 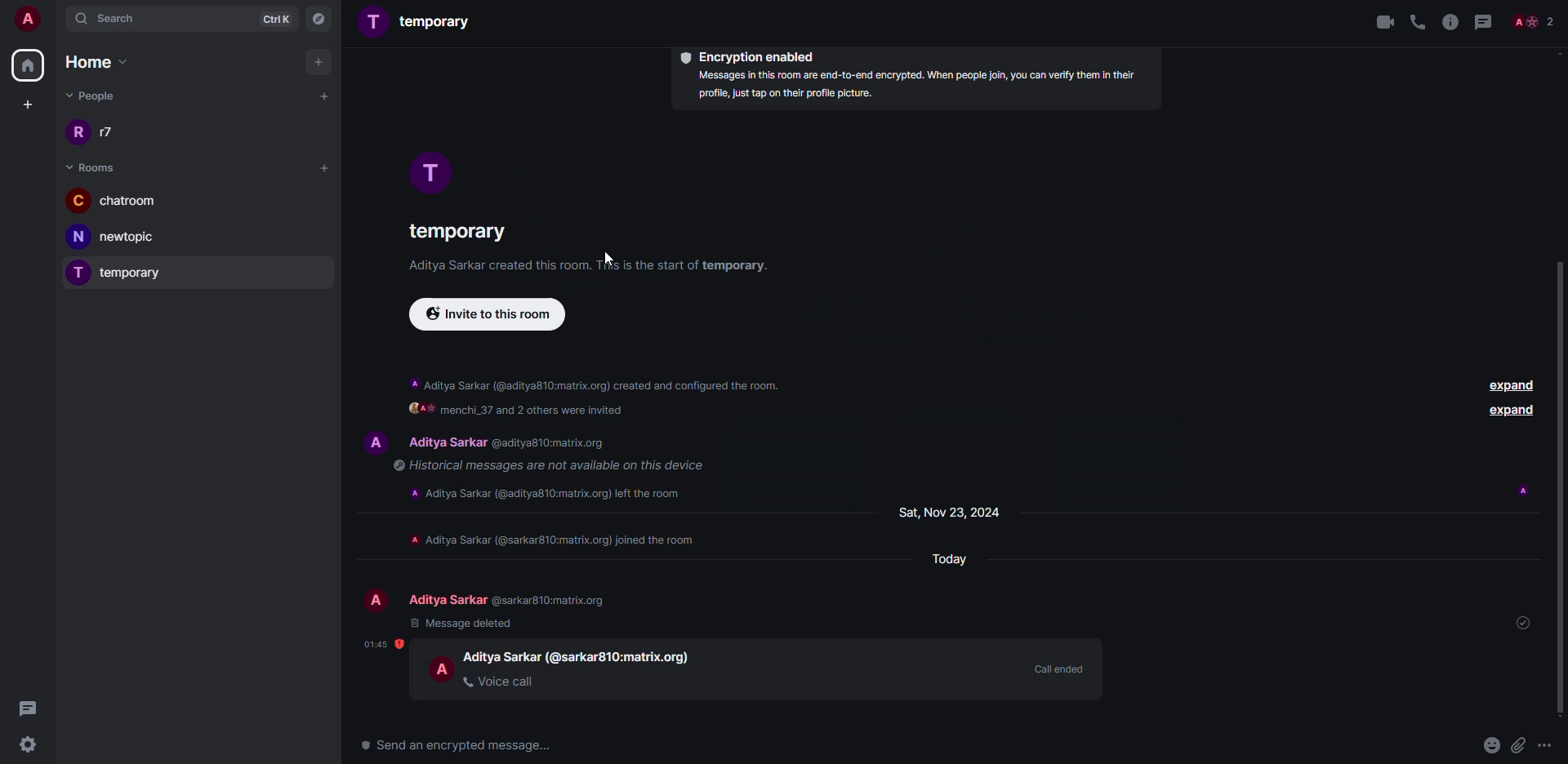 What do you see at coordinates (95, 60) in the screenshot?
I see `home` at bounding box center [95, 60].